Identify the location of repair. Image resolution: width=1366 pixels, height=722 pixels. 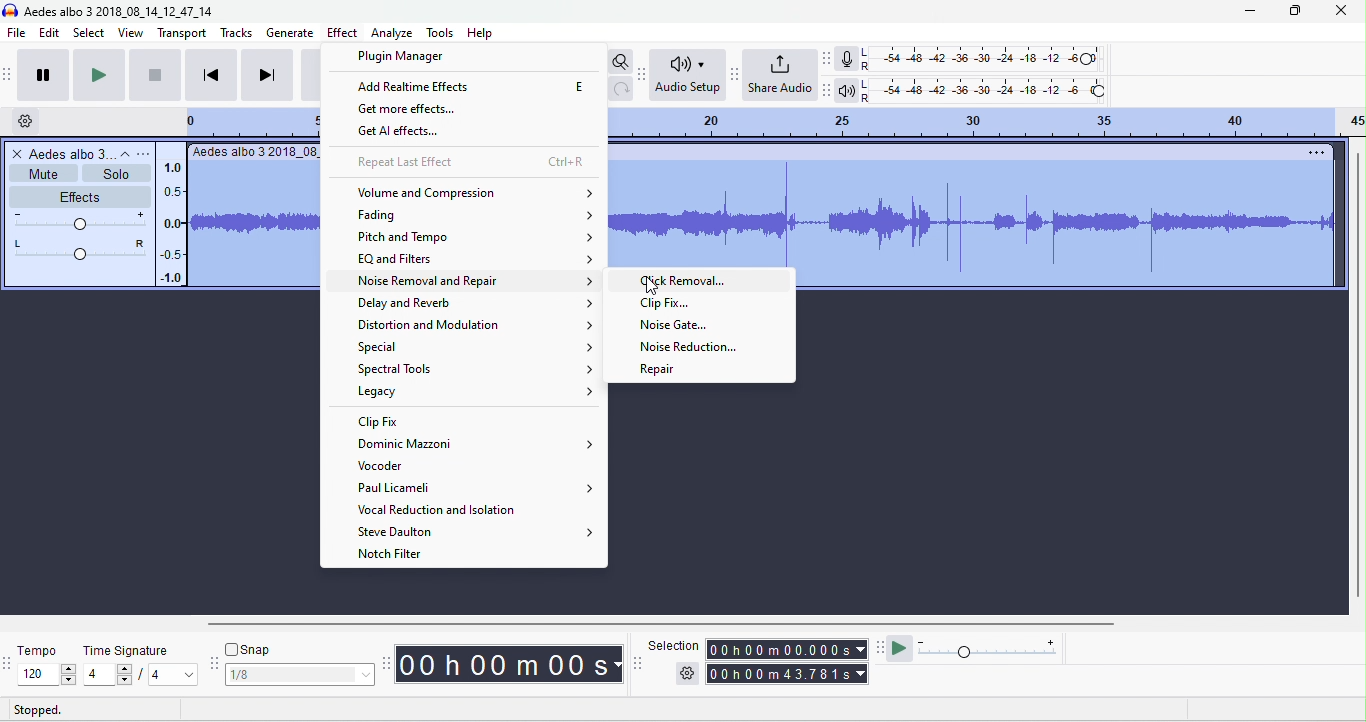
(657, 370).